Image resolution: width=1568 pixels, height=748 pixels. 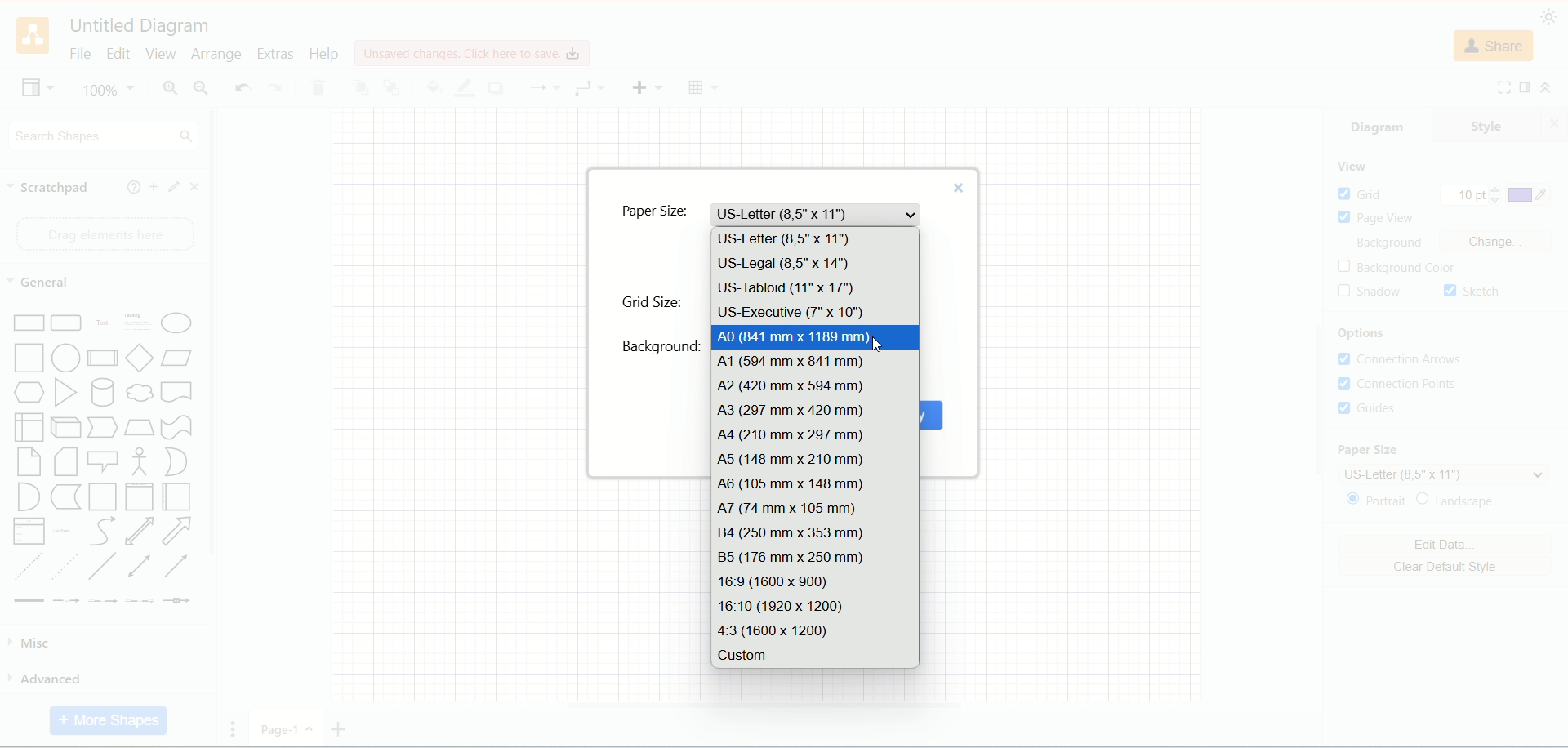 I want to click on edit, so click(x=120, y=53).